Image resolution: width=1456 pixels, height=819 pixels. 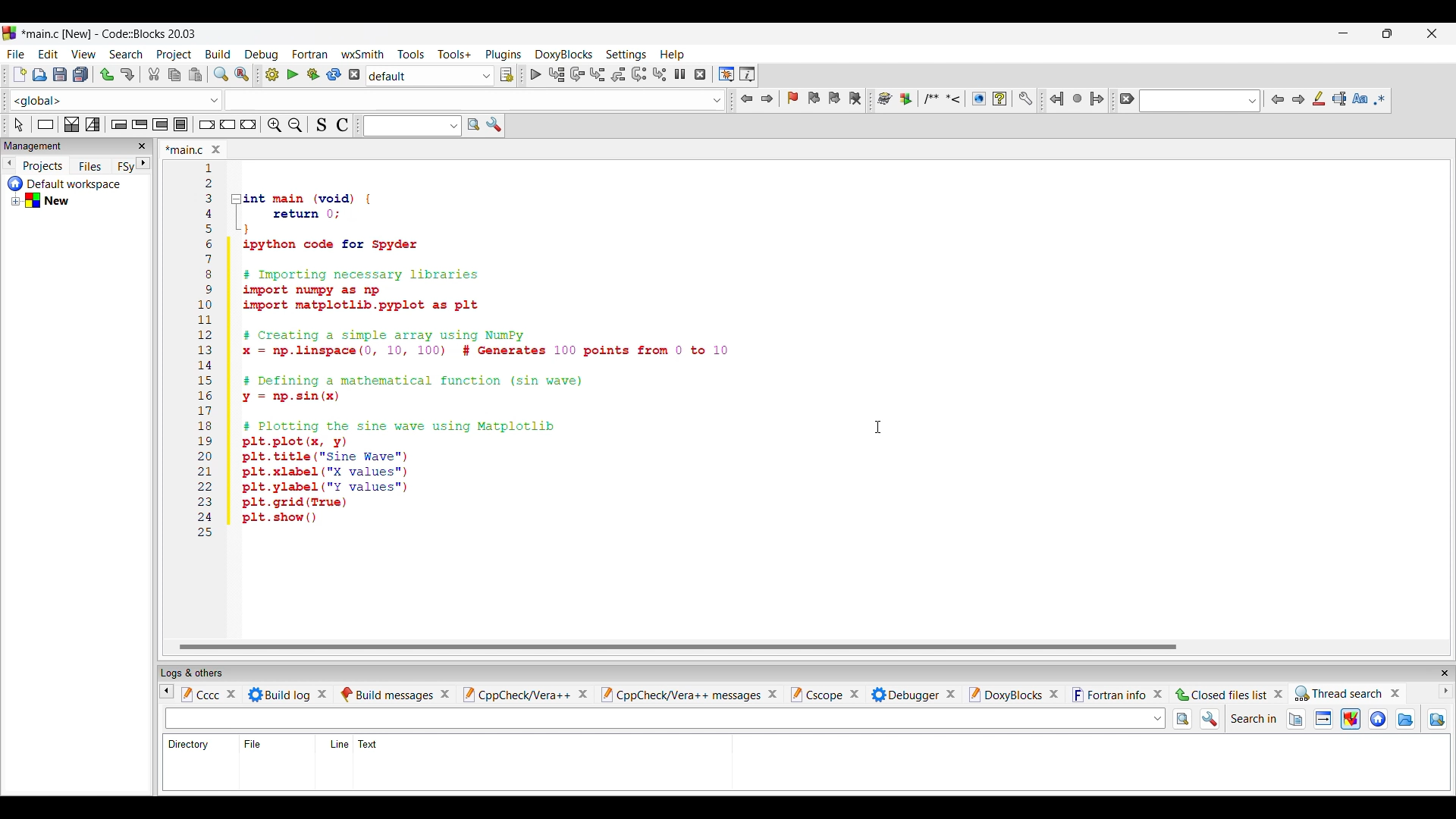 I want to click on Various info, so click(x=752, y=74).